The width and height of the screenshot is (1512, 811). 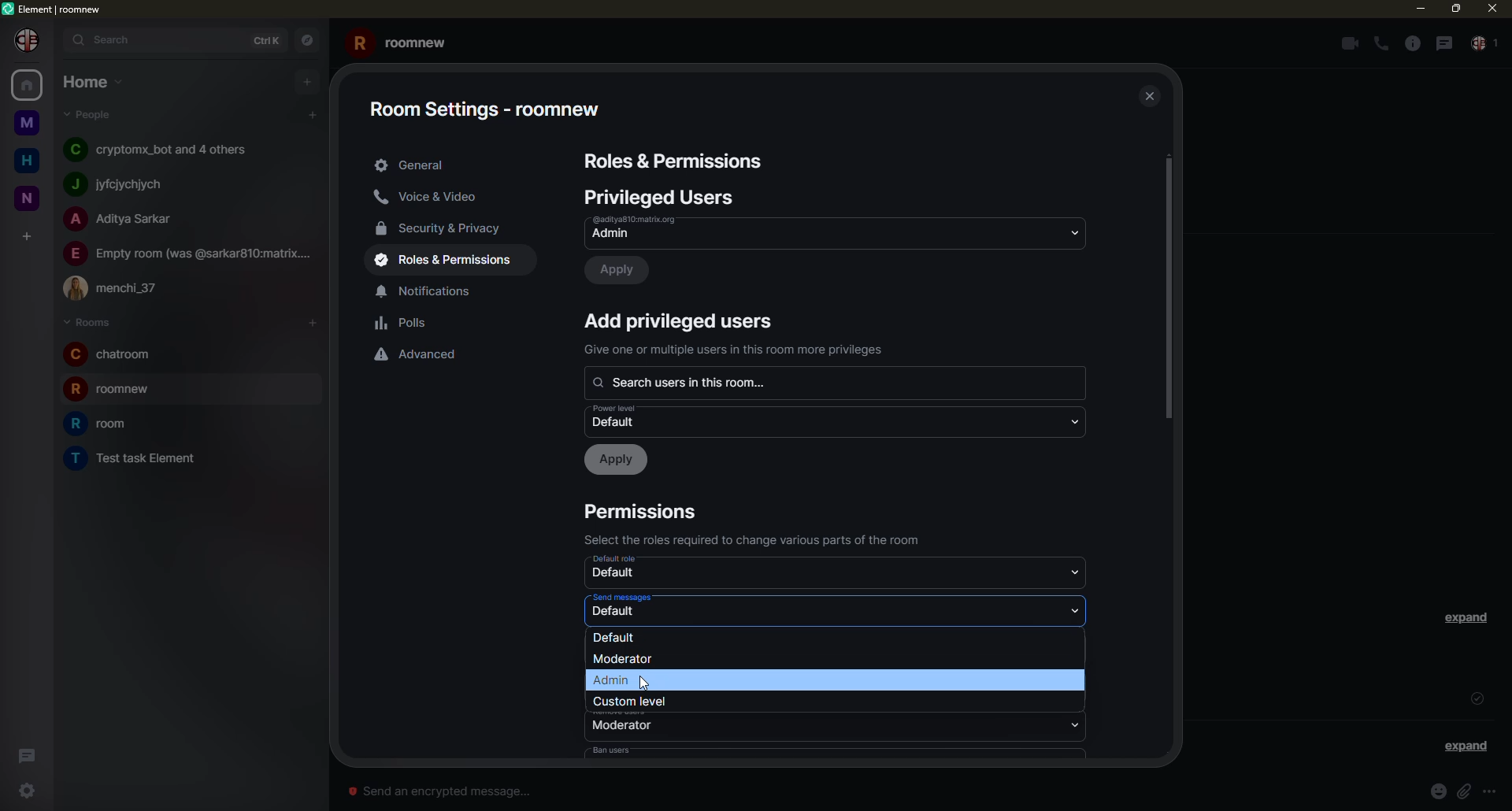 I want to click on default, so click(x=622, y=417).